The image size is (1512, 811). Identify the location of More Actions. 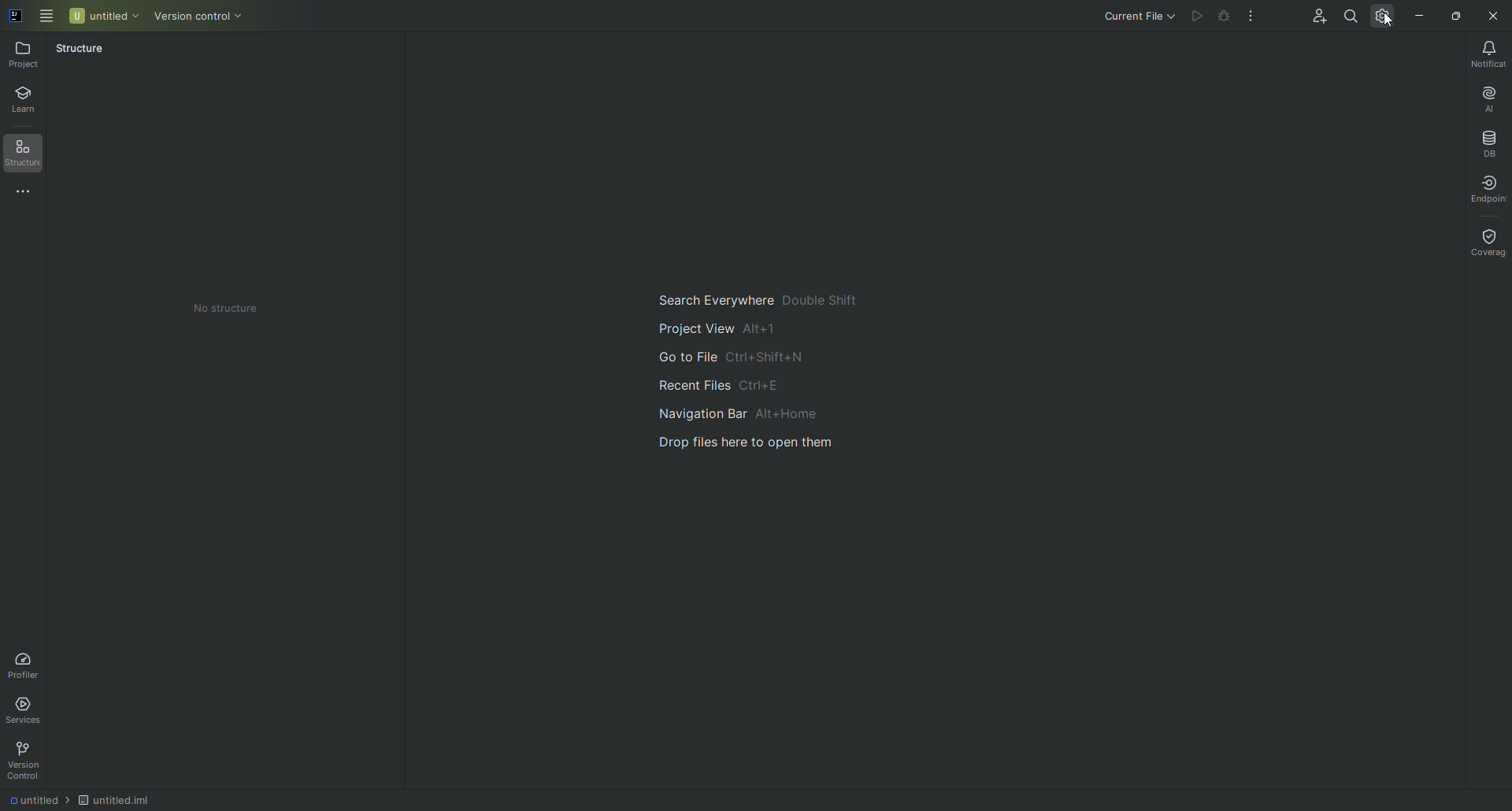
(1251, 16).